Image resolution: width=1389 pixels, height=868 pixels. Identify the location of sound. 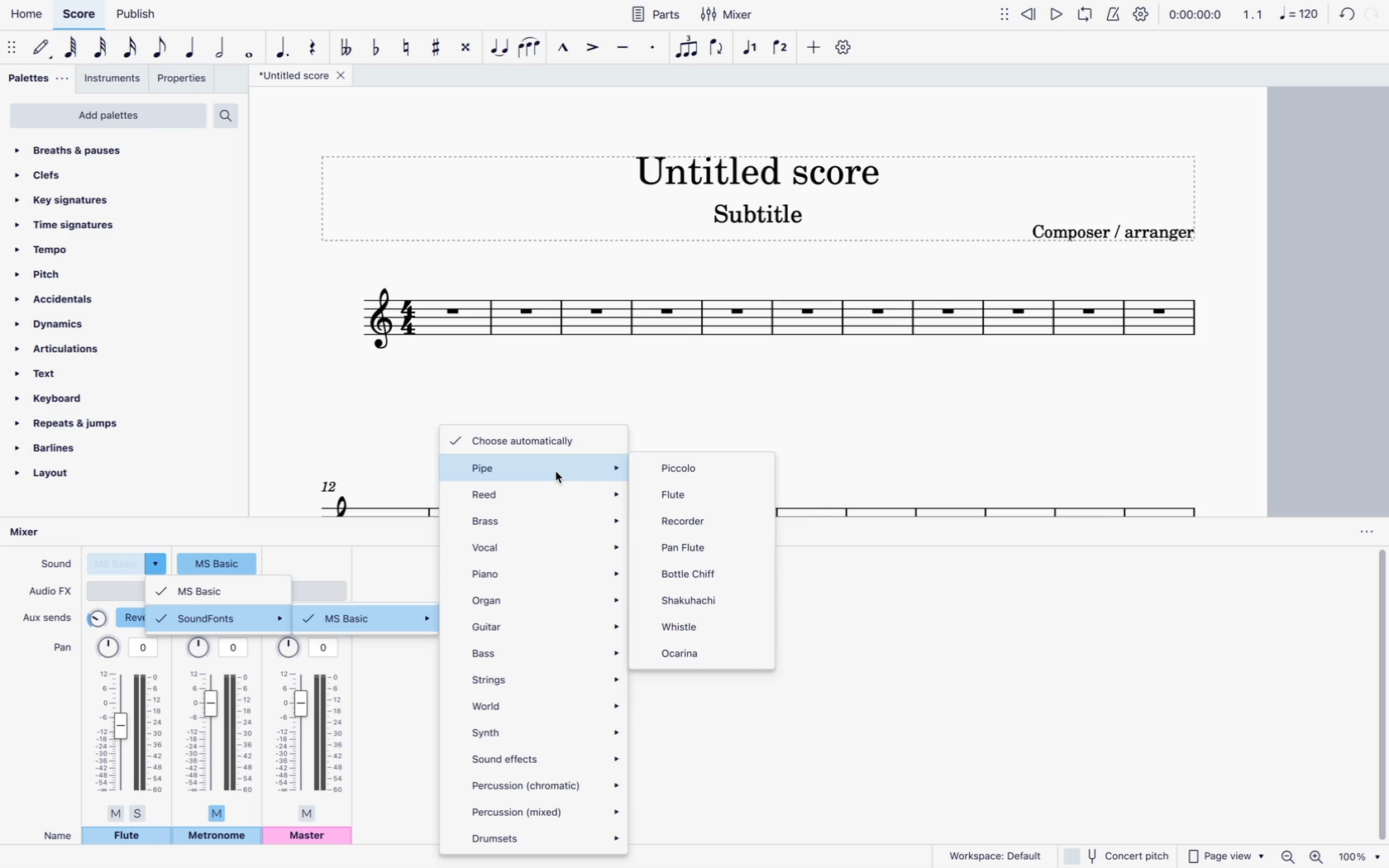
(54, 562).